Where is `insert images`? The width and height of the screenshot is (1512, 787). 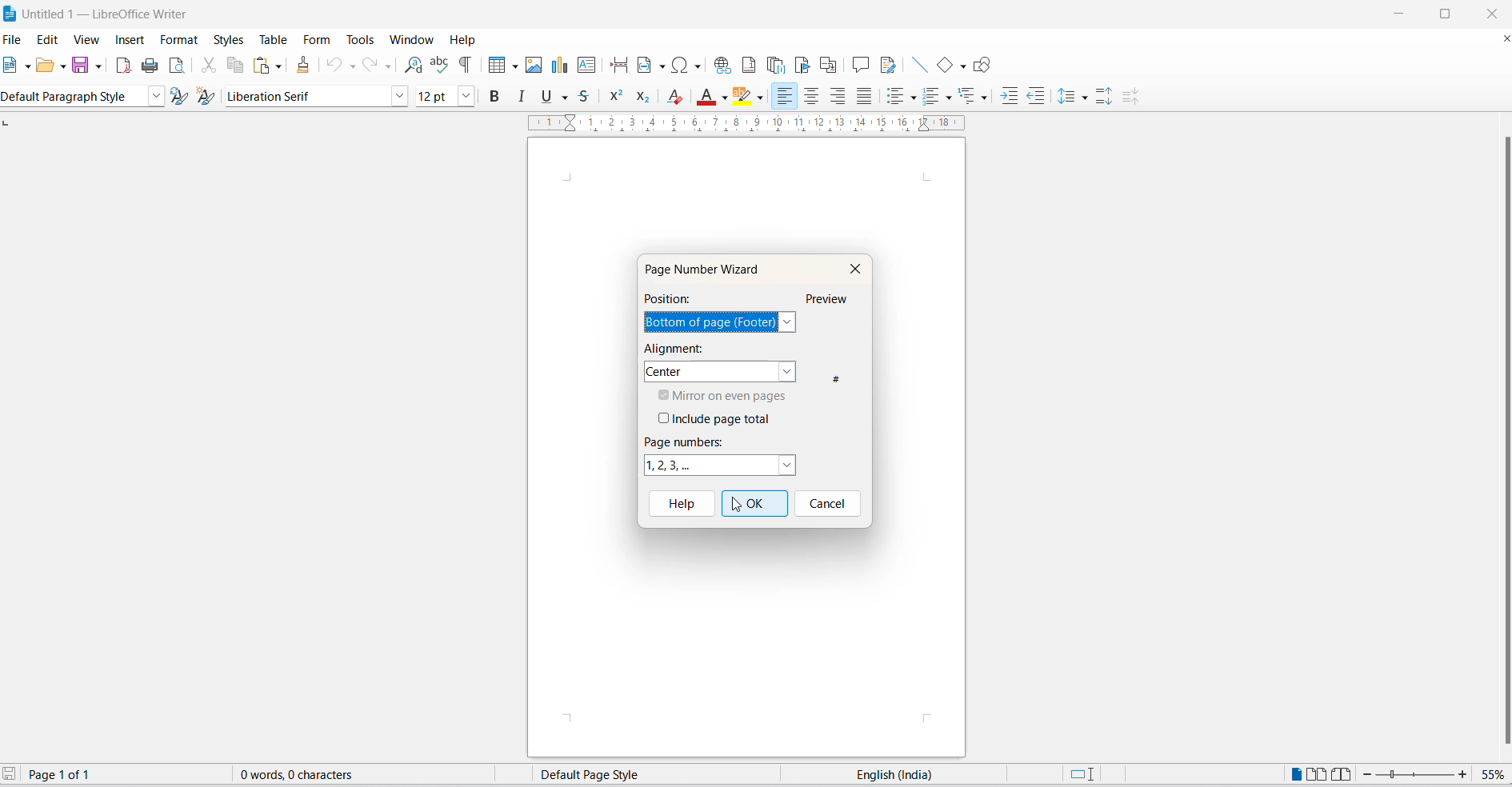
insert images is located at coordinates (534, 66).